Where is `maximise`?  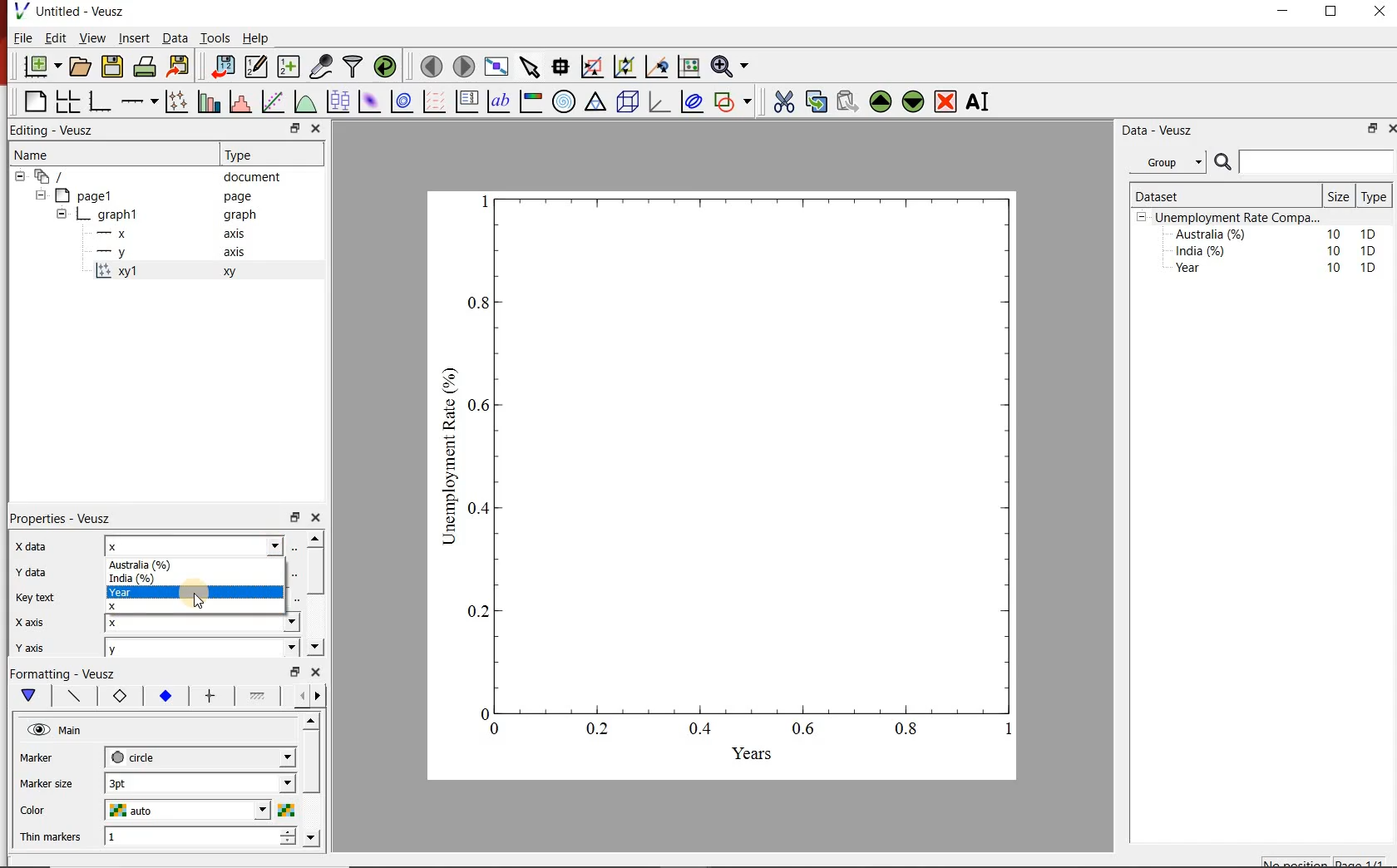
maximise is located at coordinates (1333, 15).